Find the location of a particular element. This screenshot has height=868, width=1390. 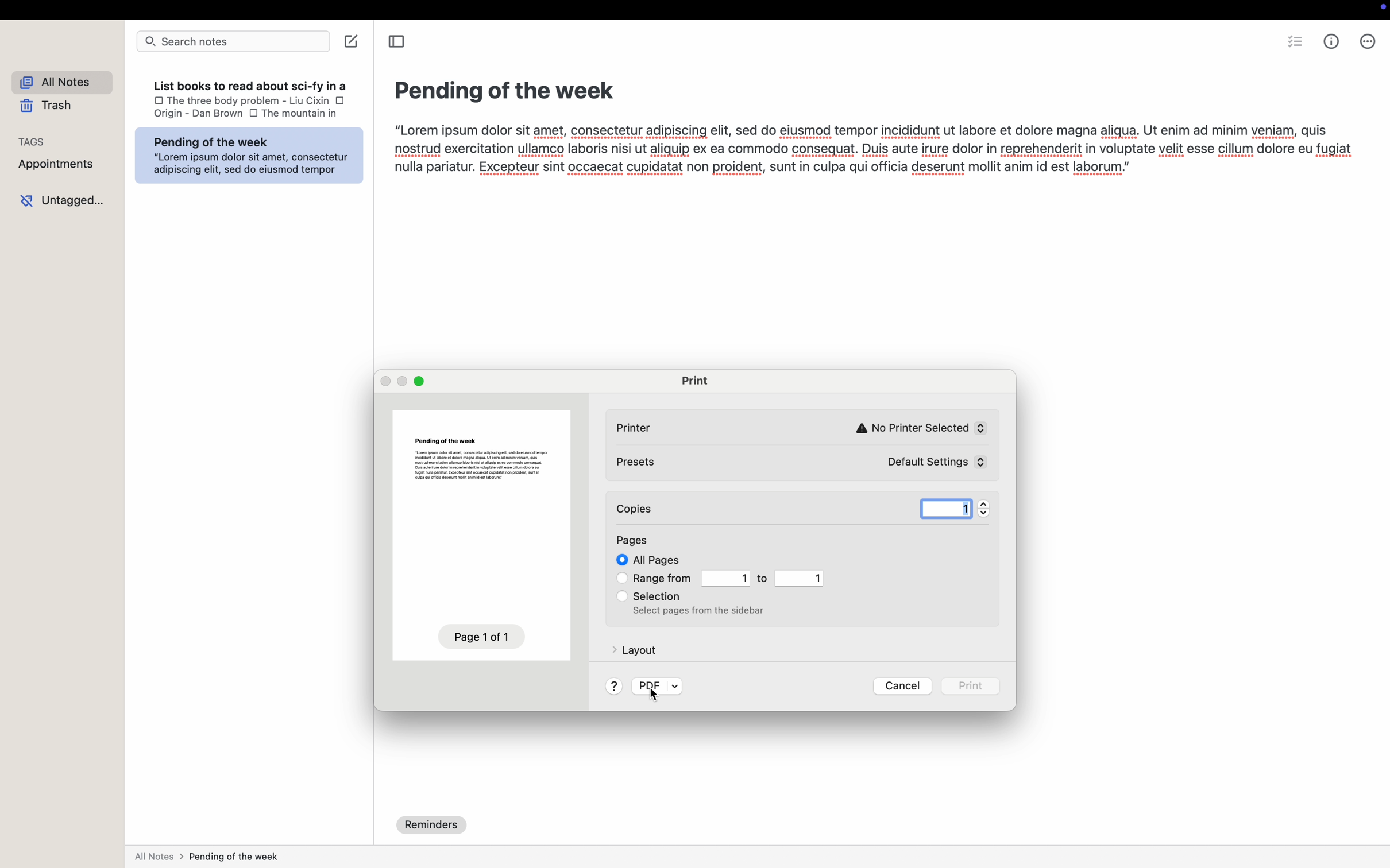

the three body problem-liu cixin is located at coordinates (249, 100).